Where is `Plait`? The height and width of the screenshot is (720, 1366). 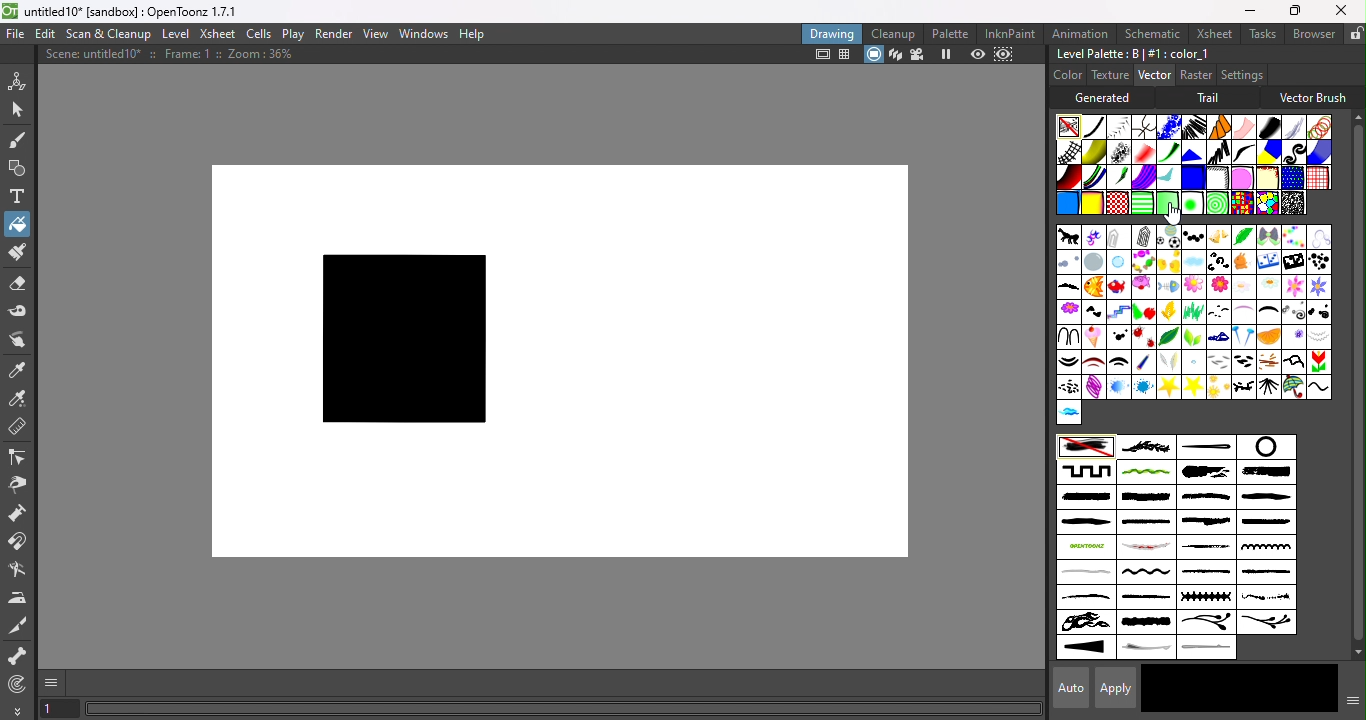
Plait is located at coordinates (1095, 178).